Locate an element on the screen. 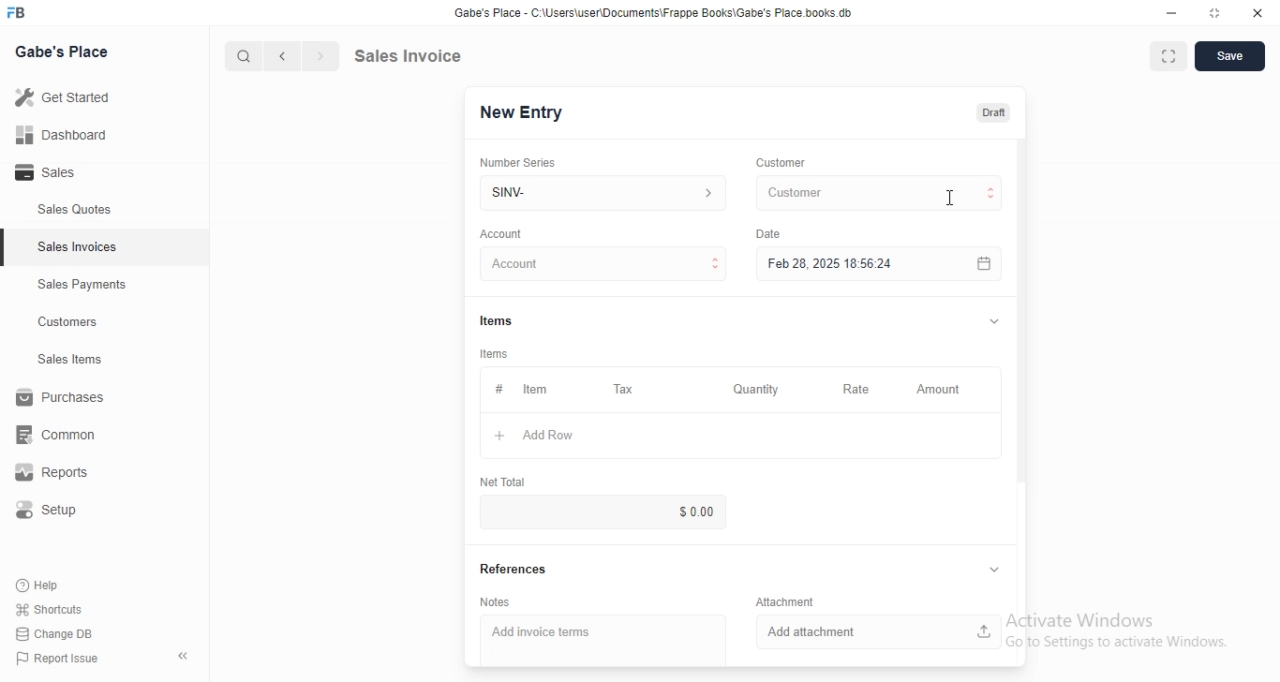 The width and height of the screenshot is (1280, 682). References is located at coordinates (516, 571).